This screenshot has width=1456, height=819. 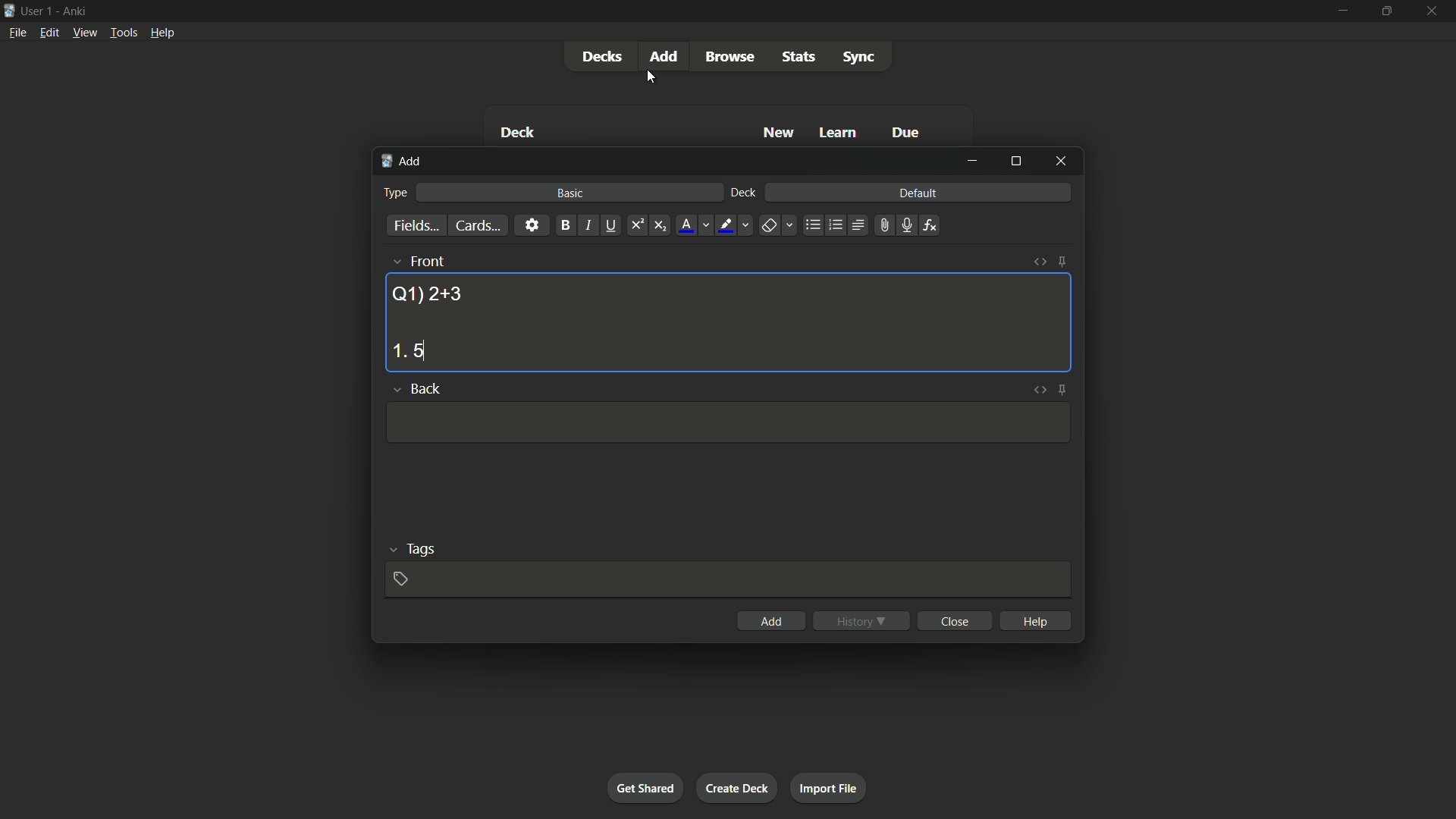 What do you see at coordinates (859, 58) in the screenshot?
I see `sync` at bounding box center [859, 58].